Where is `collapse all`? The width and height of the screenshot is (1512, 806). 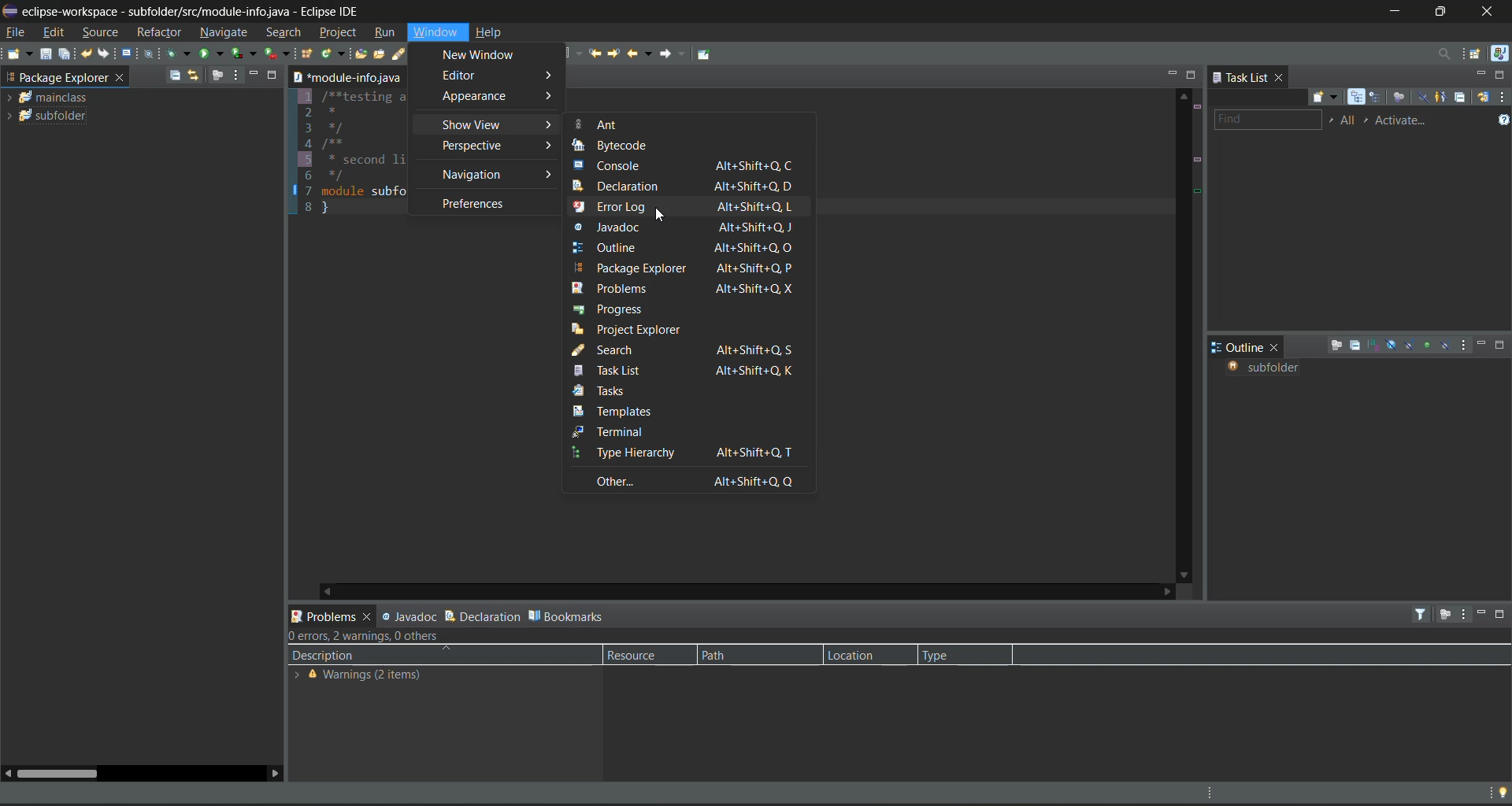 collapse all is located at coordinates (176, 74).